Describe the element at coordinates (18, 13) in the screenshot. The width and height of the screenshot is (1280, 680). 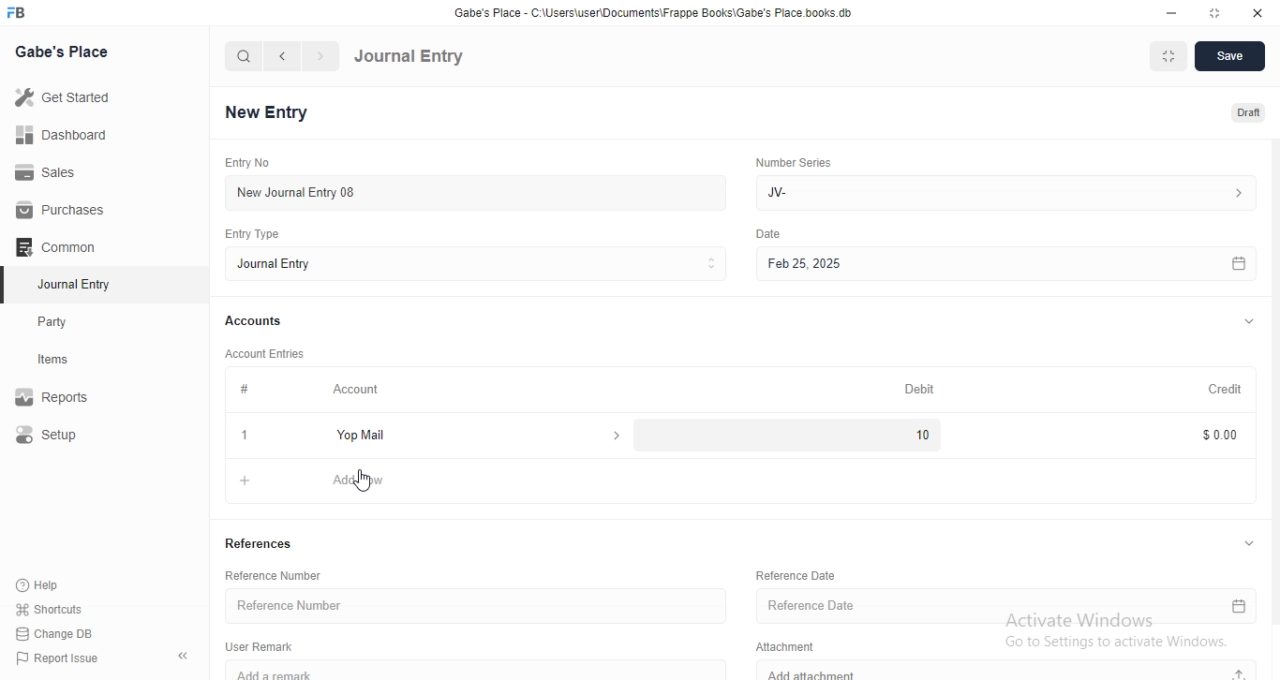
I see `FB` at that location.